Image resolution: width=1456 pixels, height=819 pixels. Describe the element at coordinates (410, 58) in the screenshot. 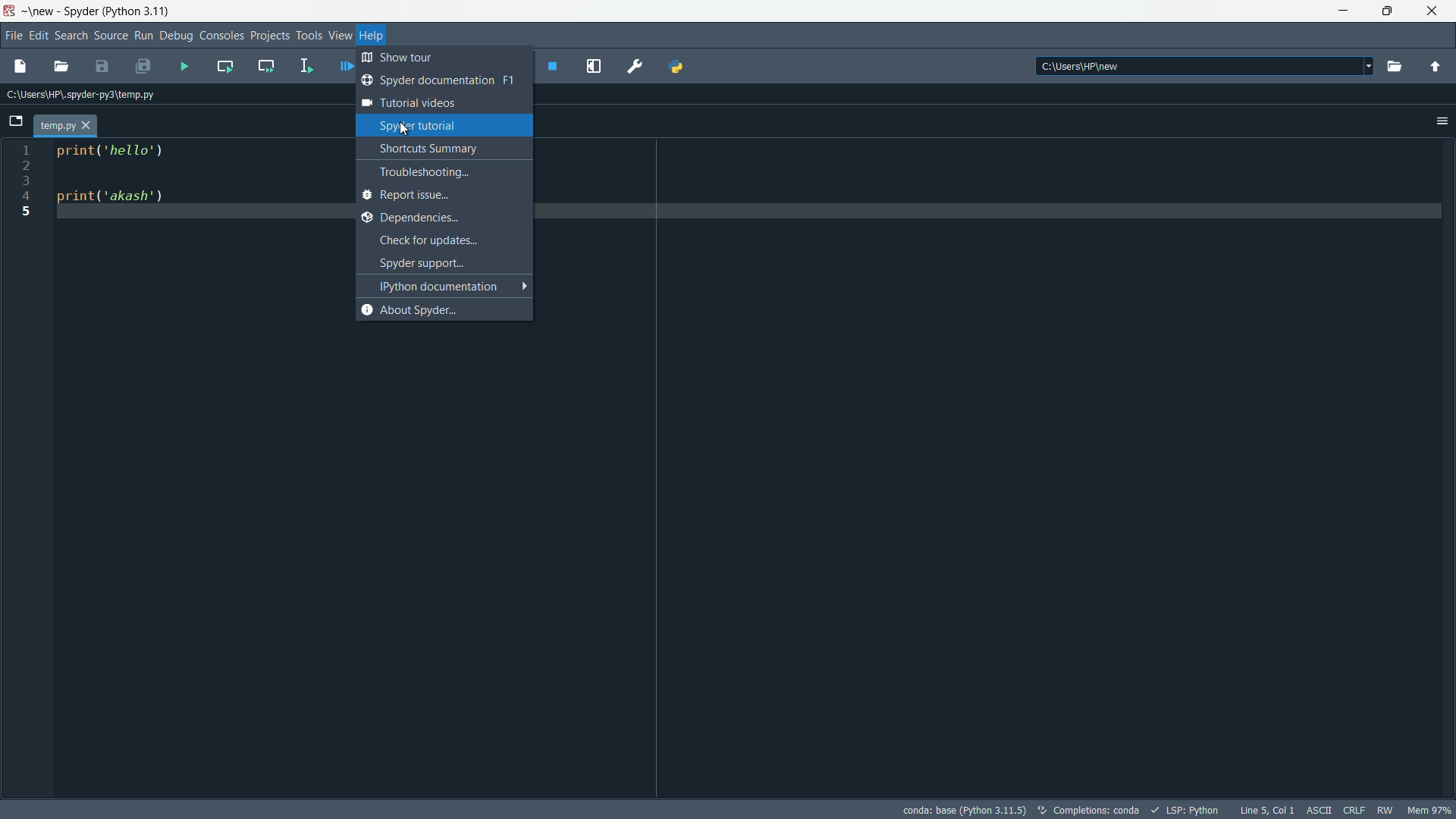

I see `show tour` at that location.